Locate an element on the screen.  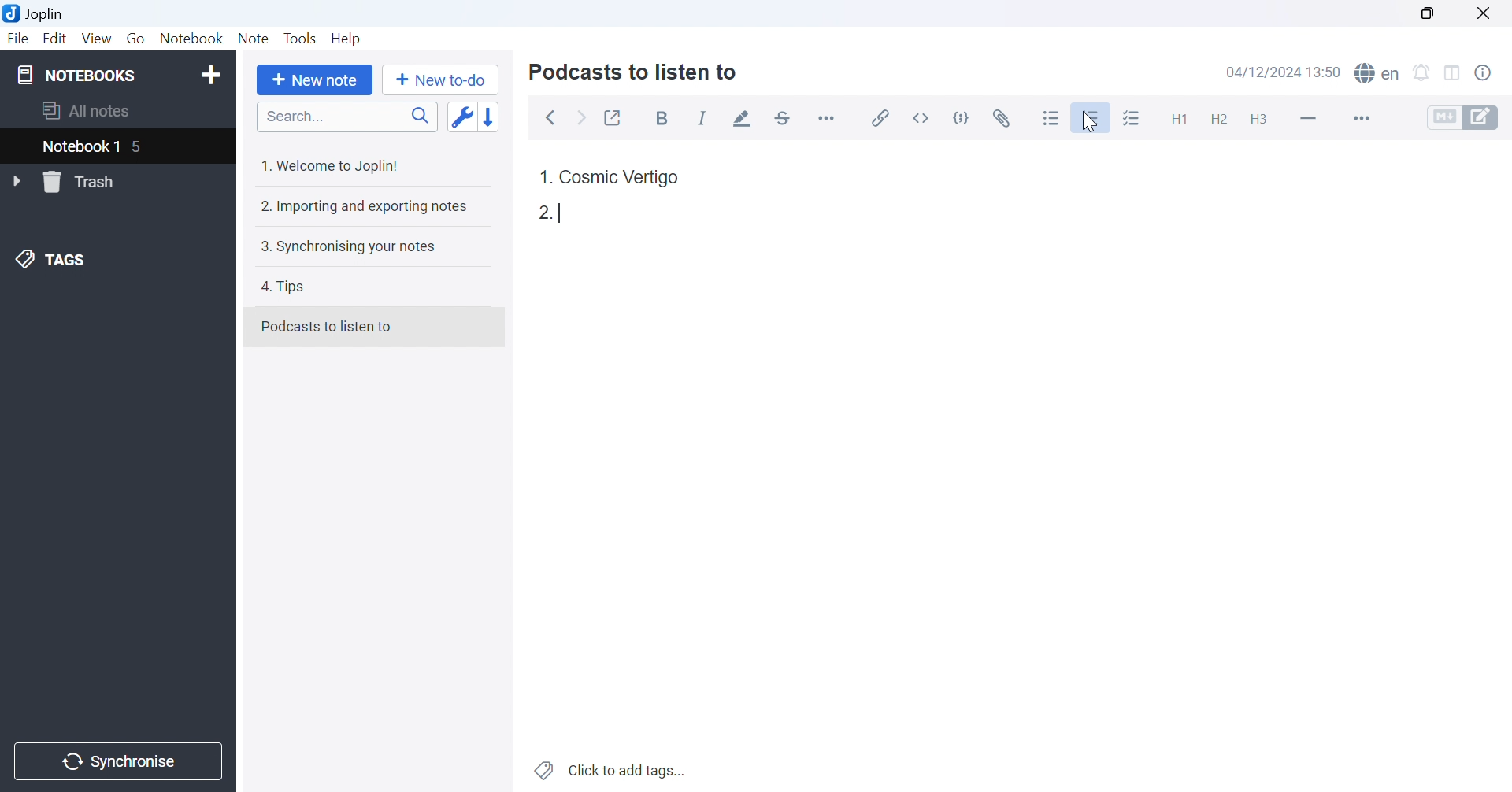
Click to add notes... is located at coordinates (612, 768).